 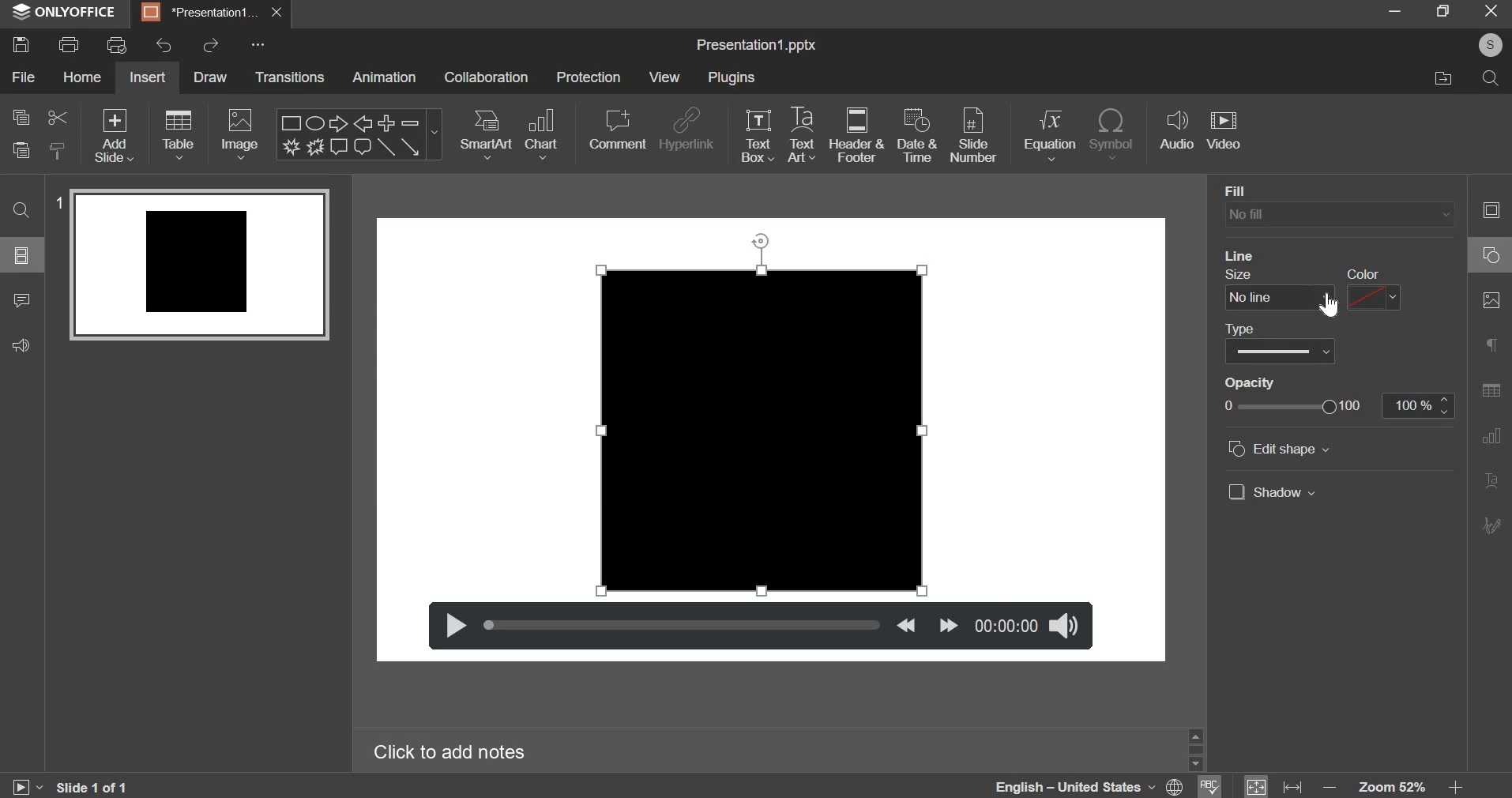 What do you see at coordinates (288, 77) in the screenshot?
I see `transition` at bounding box center [288, 77].